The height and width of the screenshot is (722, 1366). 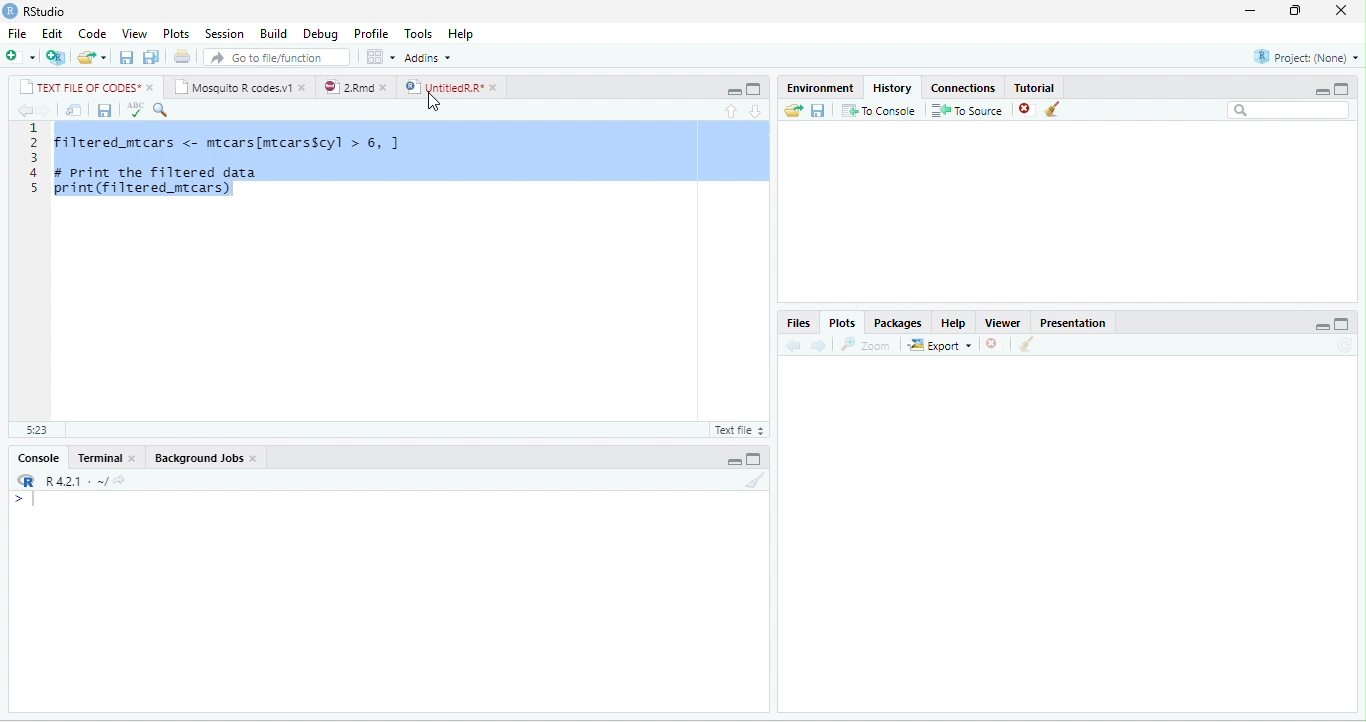 What do you see at coordinates (44, 110) in the screenshot?
I see `forward` at bounding box center [44, 110].